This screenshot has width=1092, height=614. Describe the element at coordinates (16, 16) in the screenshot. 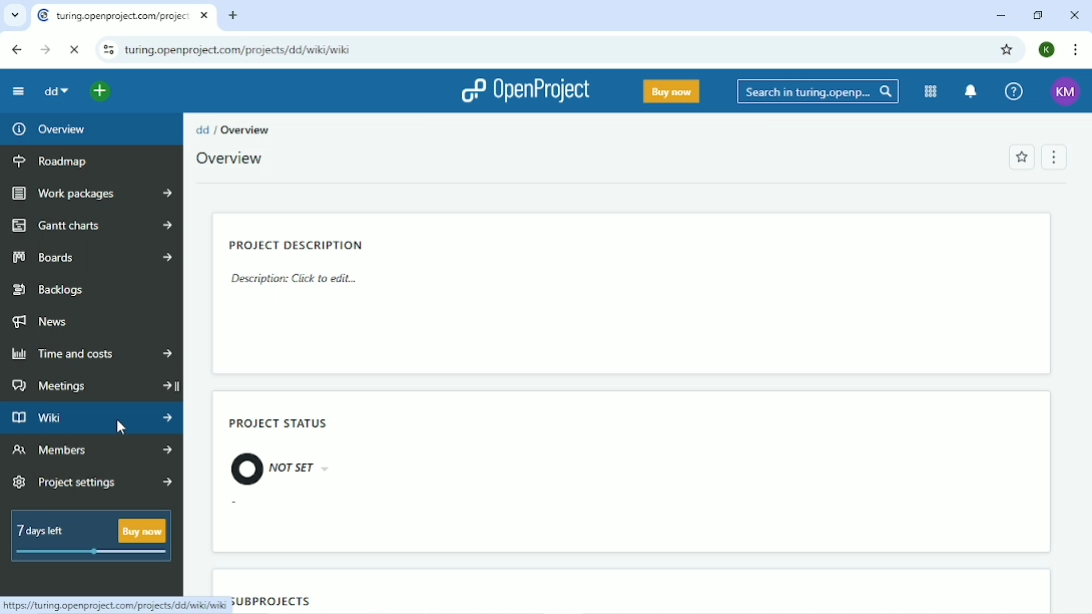

I see `Search tabs` at that location.